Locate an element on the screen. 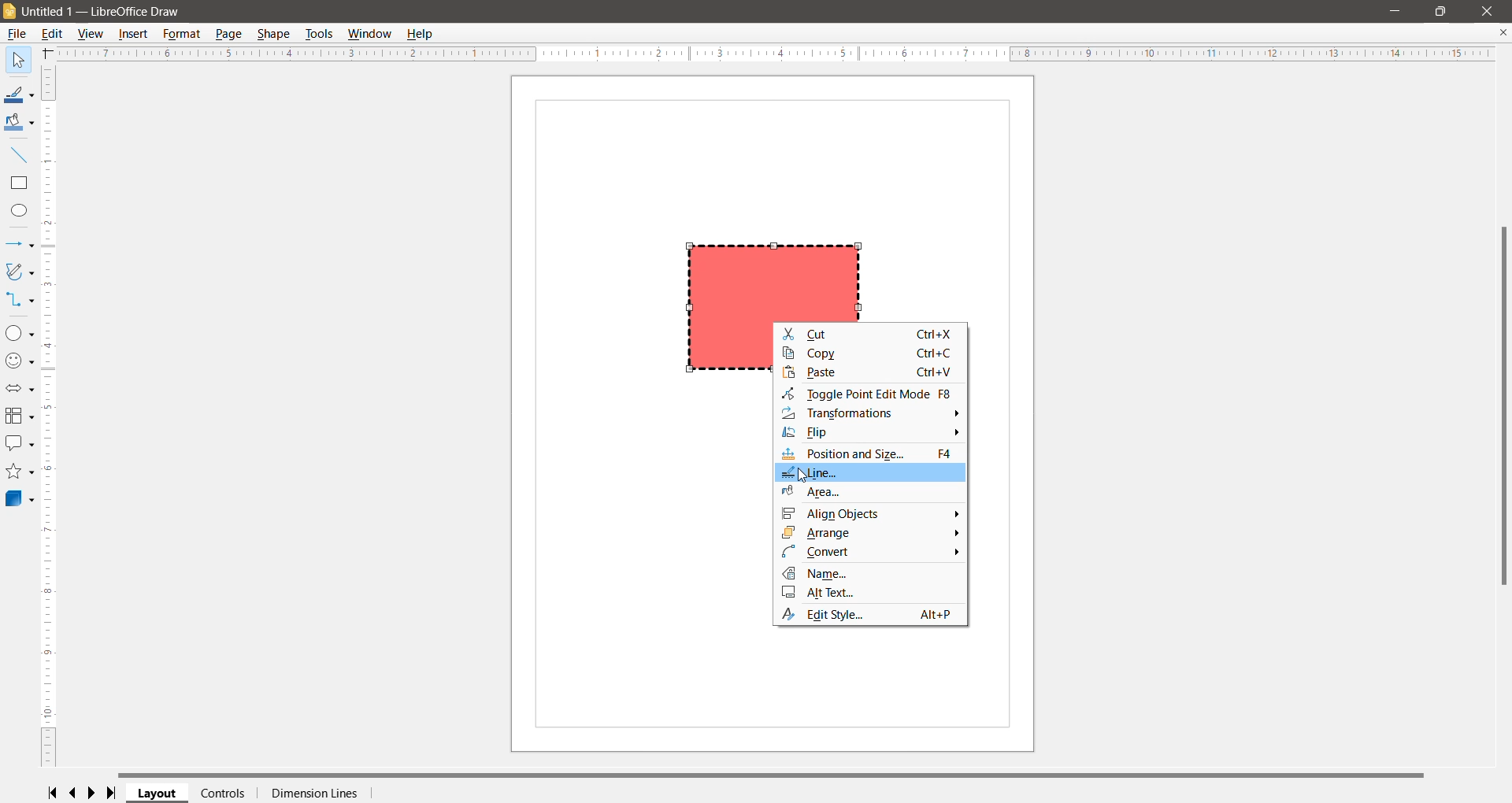  Line Color is located at coordinates (20, 95).